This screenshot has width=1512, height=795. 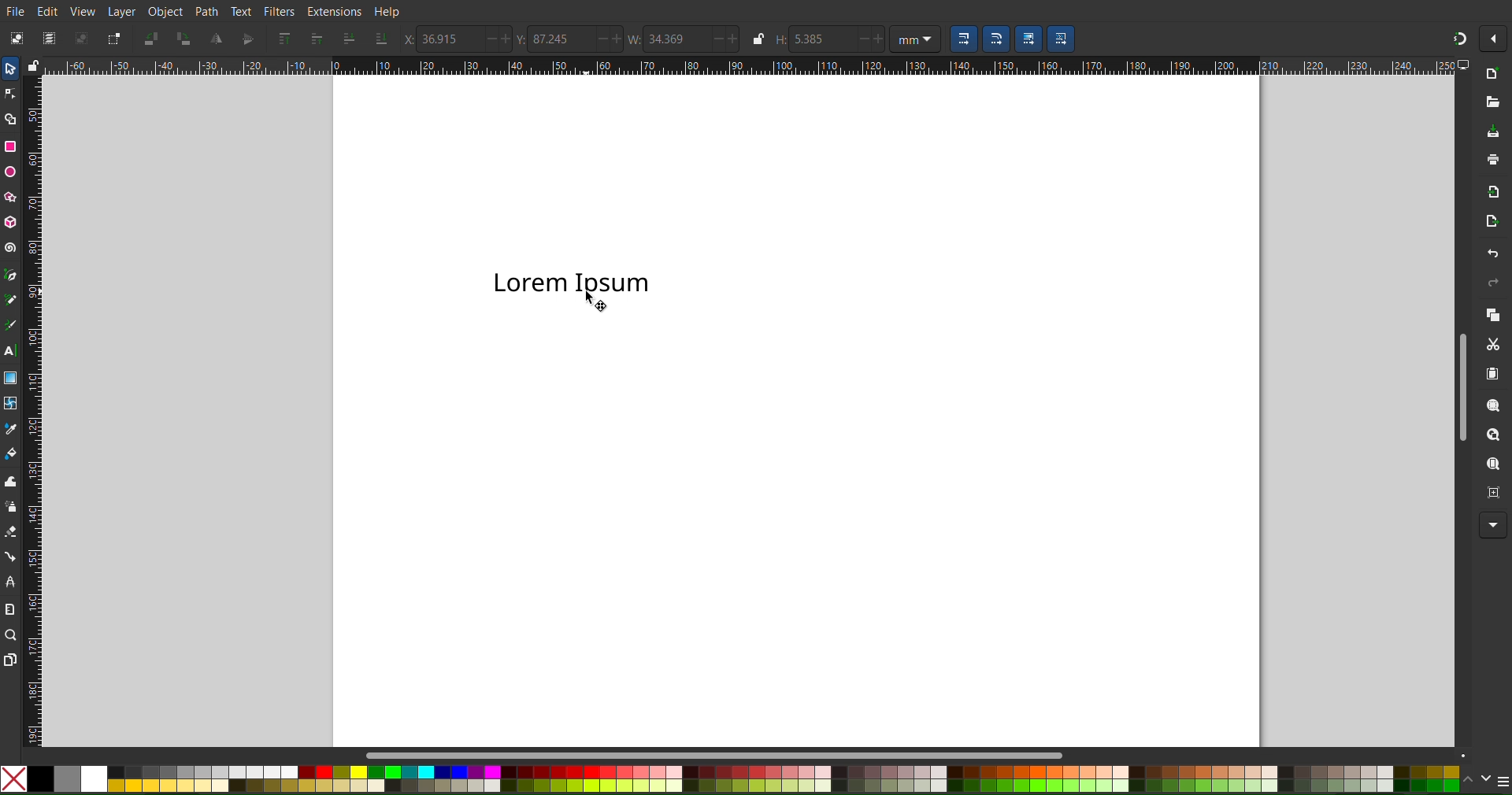 I want to click on Zoom Centre Page, so click(x=1487, y=494).